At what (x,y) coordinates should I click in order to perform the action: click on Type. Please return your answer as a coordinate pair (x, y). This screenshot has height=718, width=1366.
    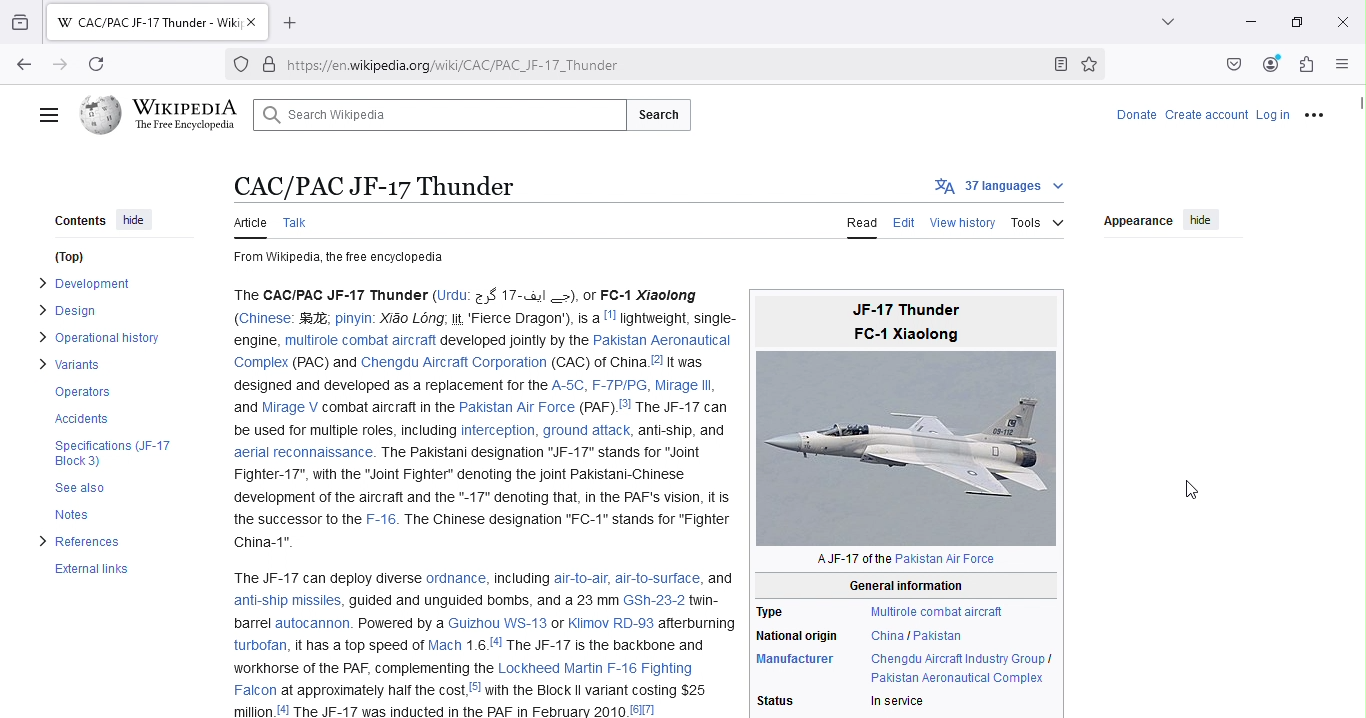
    Looking at the image, I should click on (777, 608).